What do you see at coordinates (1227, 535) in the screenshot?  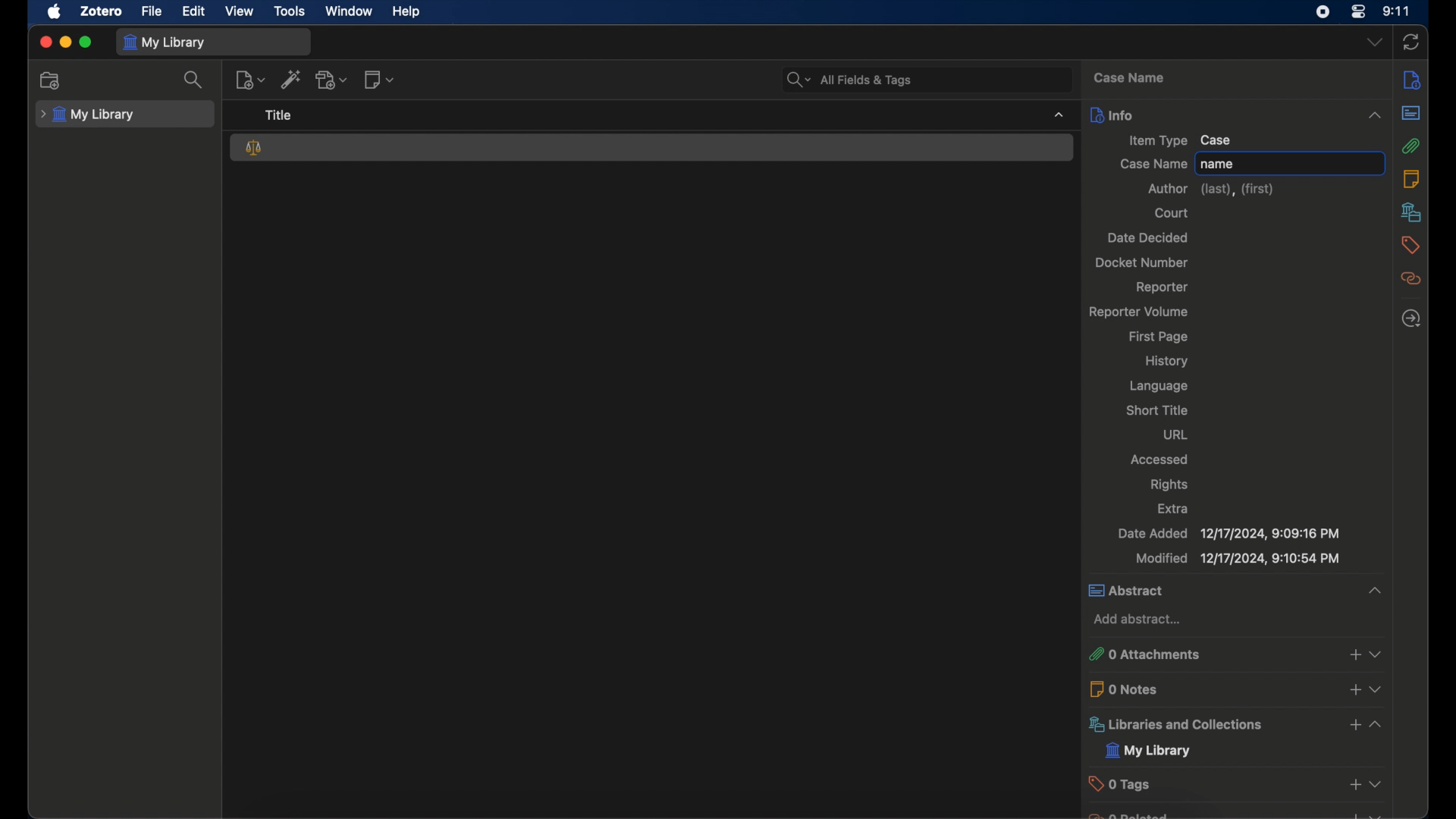 I see `date added` at bounding box center [1227, 535].